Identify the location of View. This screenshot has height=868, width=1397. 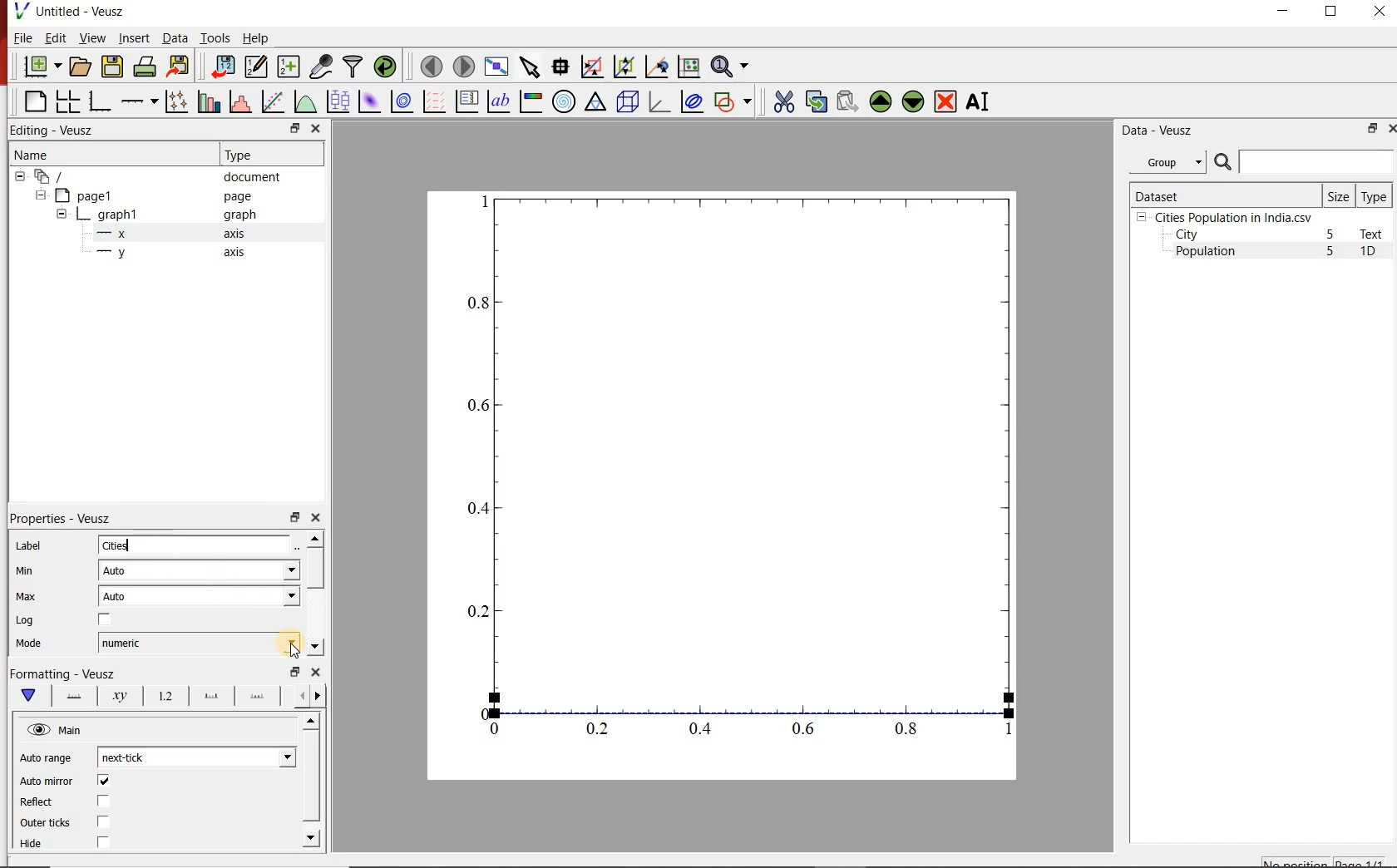
(89, 37).